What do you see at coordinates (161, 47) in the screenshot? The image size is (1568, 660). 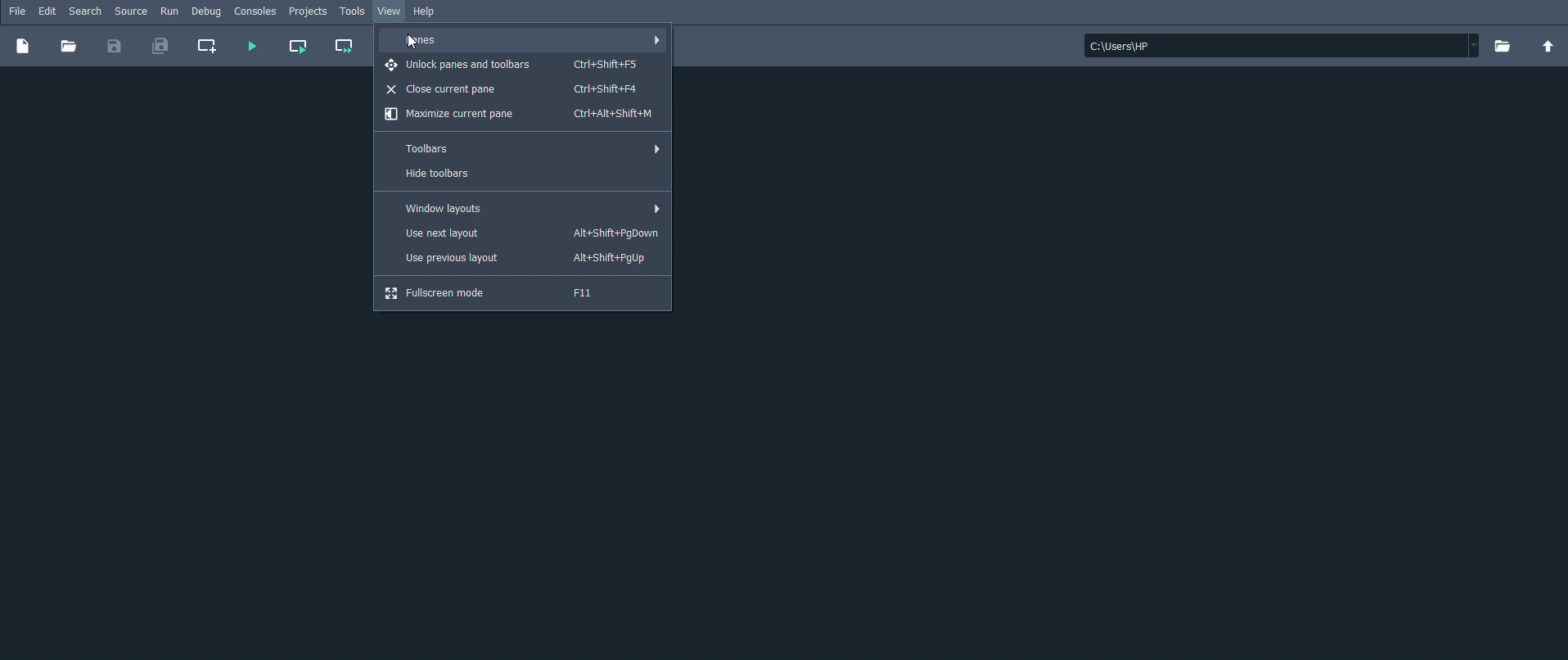 I see `Save all files` at bounding box center [161, 47].